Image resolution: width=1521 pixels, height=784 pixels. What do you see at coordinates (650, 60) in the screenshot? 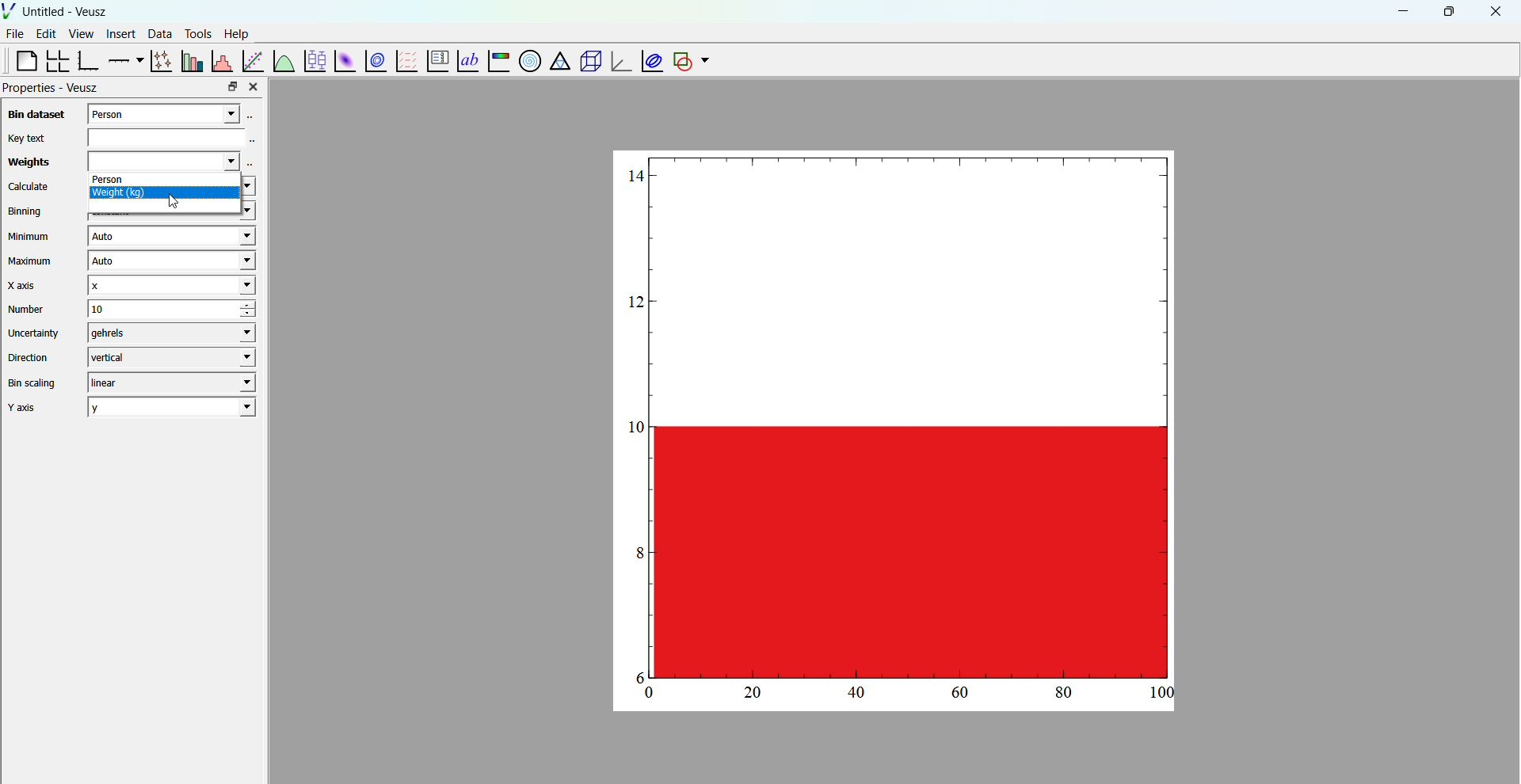
I see `plot covariance ellipses` at bounding box center [650, 60].